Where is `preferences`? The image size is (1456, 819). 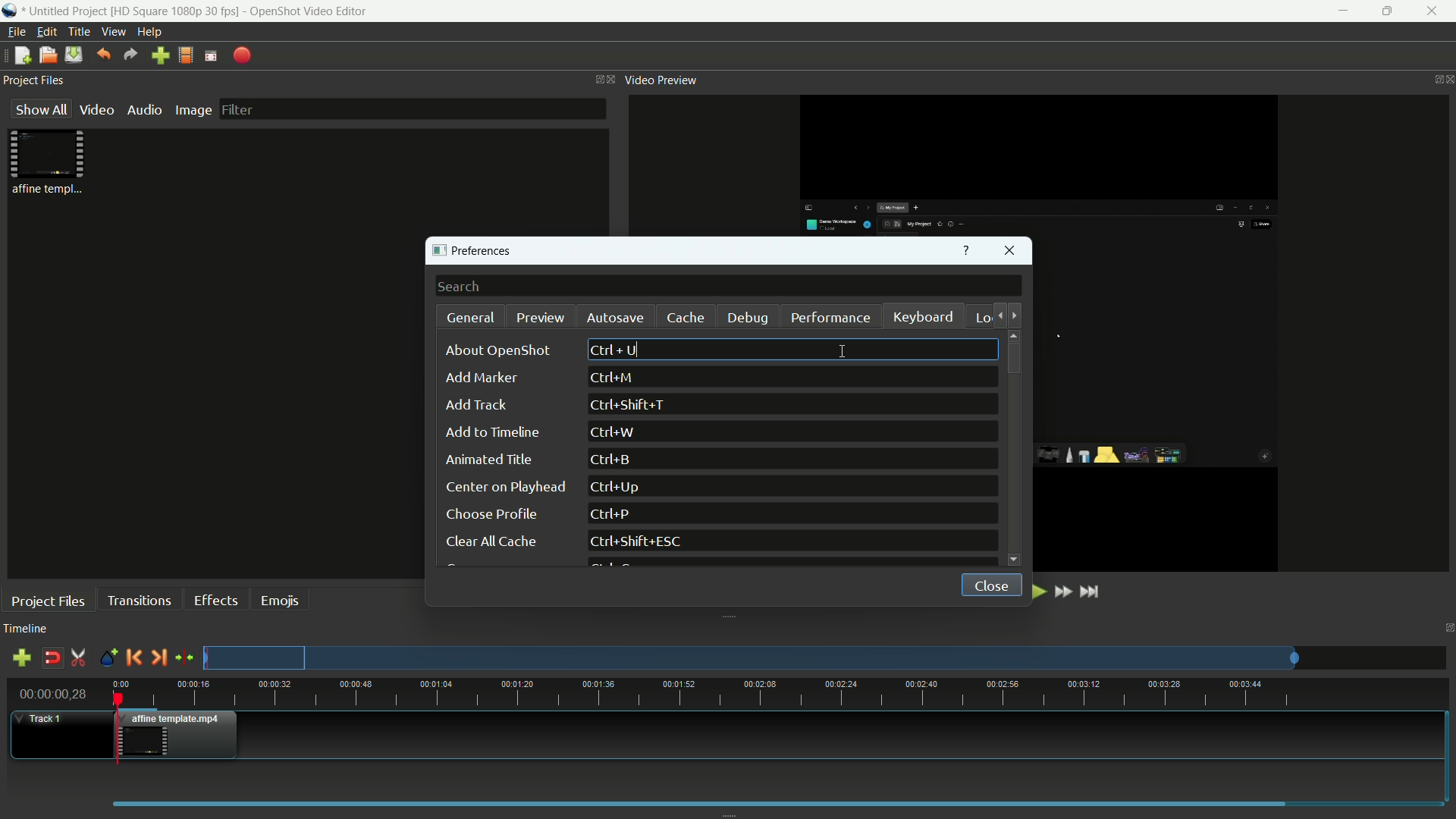 preferences is located at coordinates (477, 252).